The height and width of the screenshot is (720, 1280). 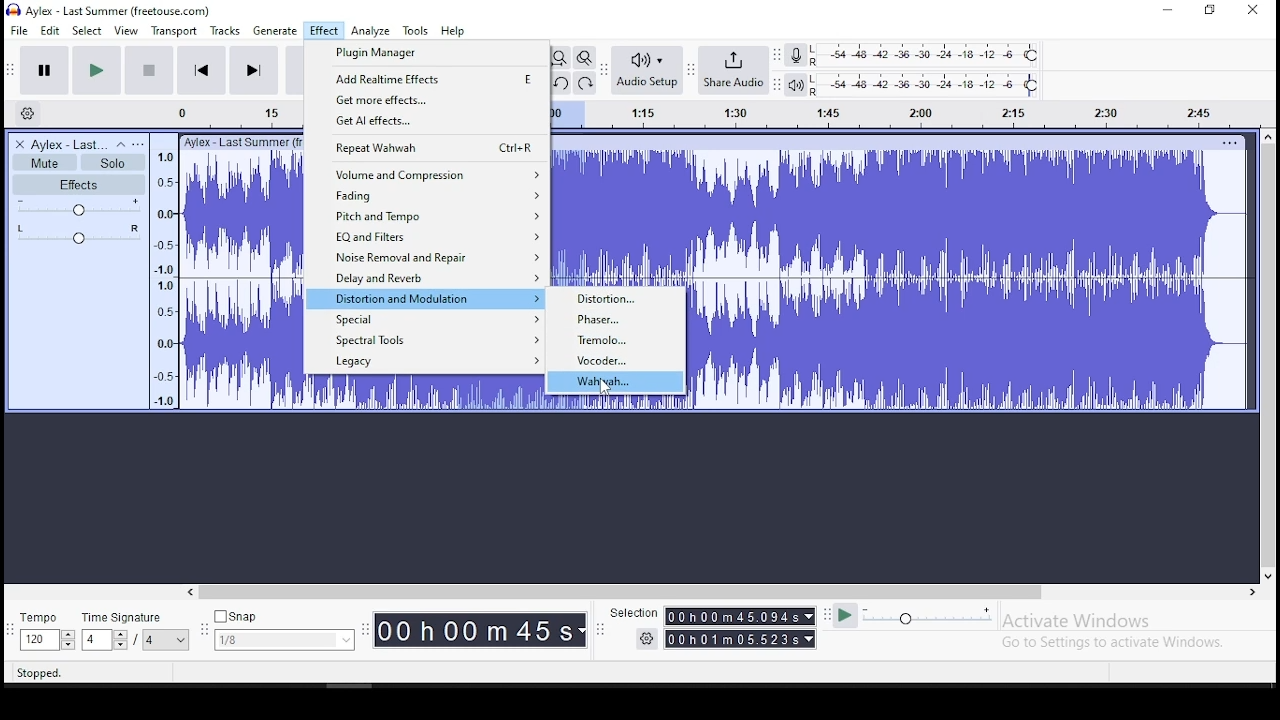 I want to click on scroll bar, so click(x=722, y=593).